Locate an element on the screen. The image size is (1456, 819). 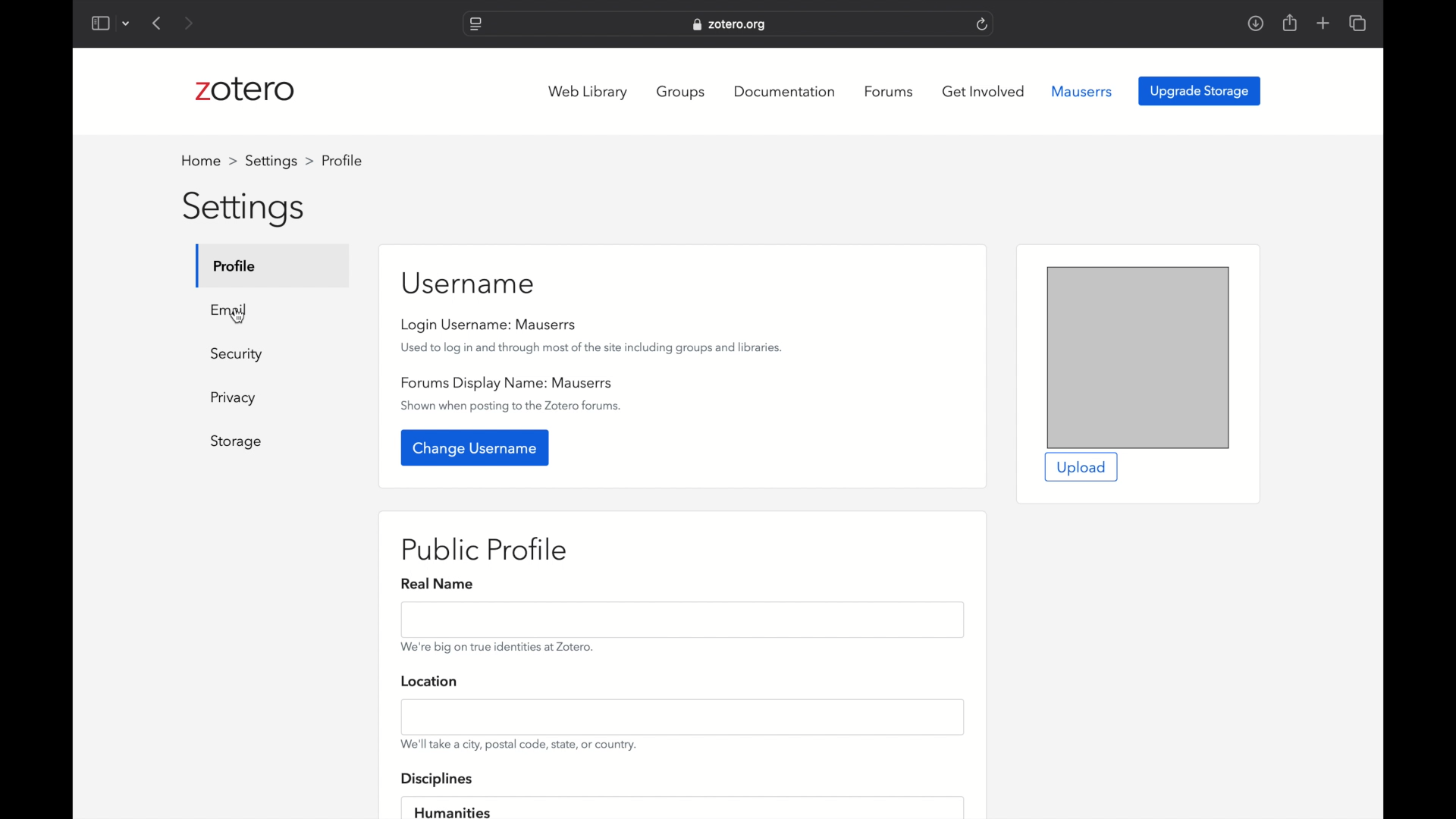
public profile is located at coordinates (488, 551).